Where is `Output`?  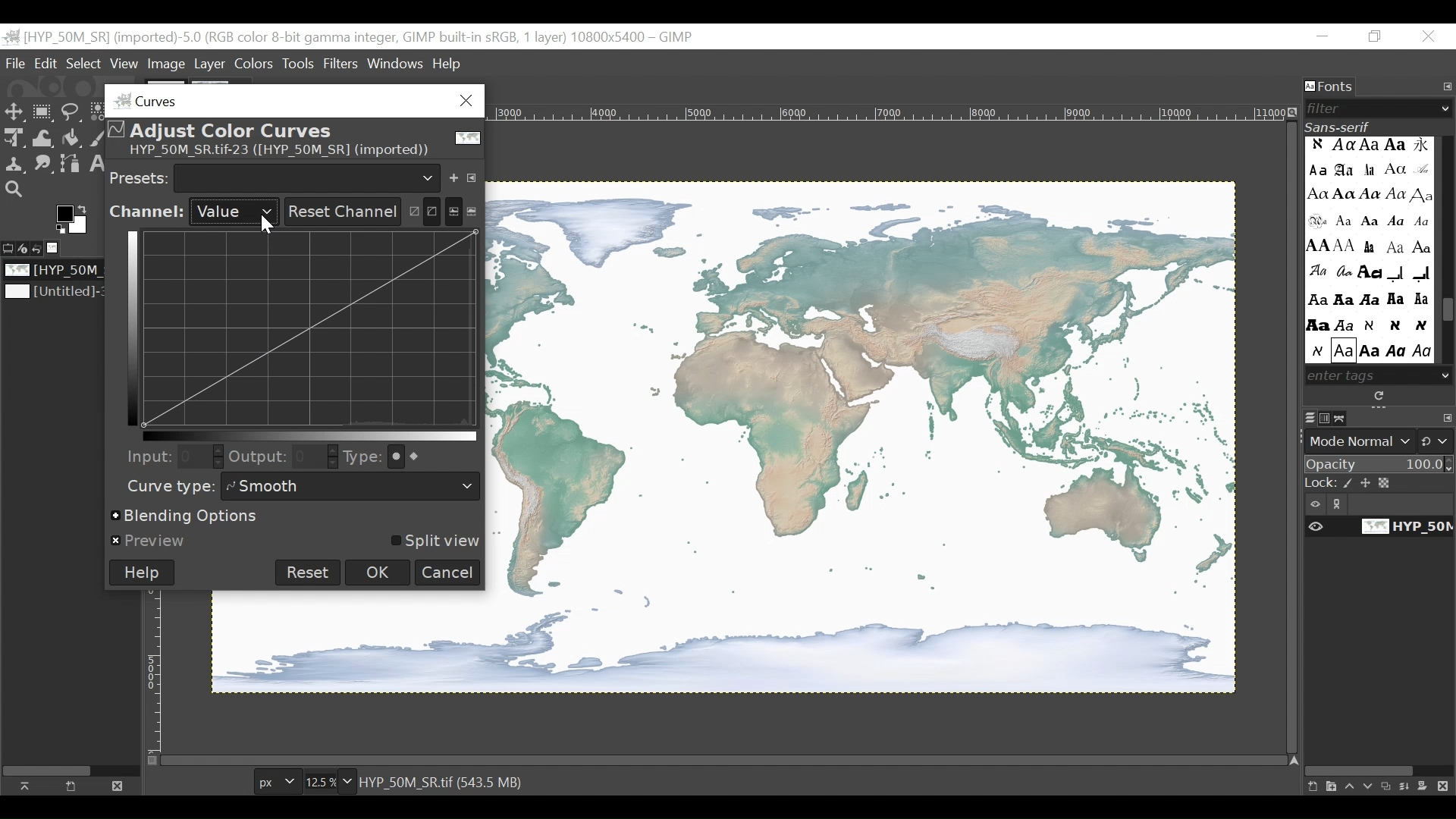
Output is located at coordinates (258, 459).